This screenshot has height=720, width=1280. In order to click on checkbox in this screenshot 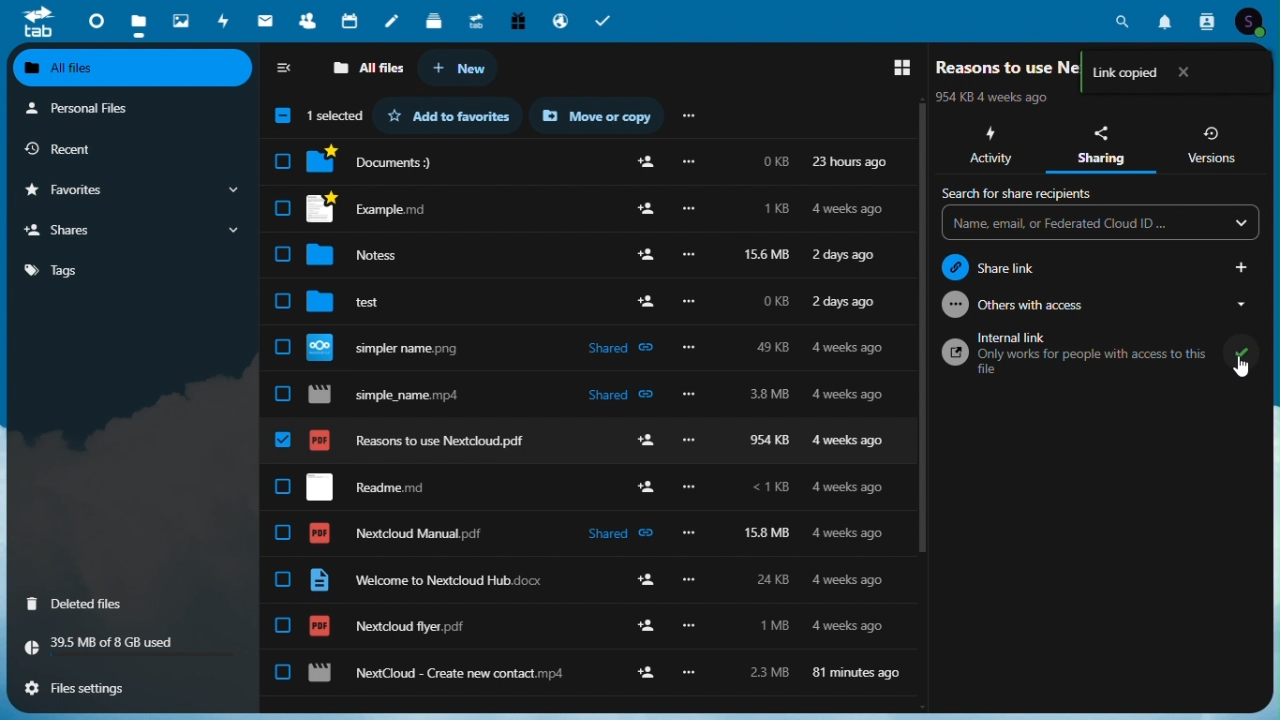, I will do `click(284, 535)`.